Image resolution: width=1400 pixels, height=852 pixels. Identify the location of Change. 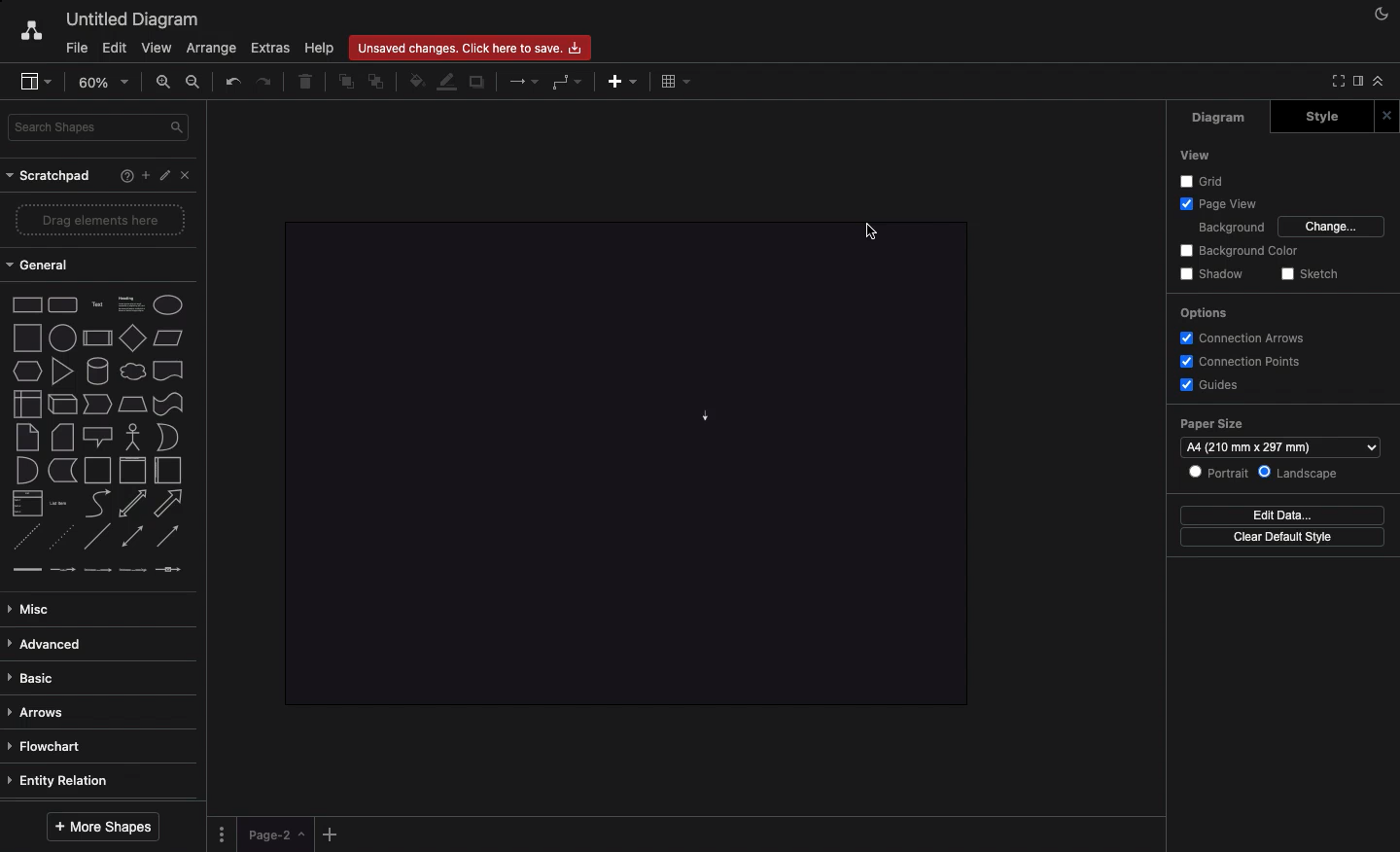
(1333, 227).